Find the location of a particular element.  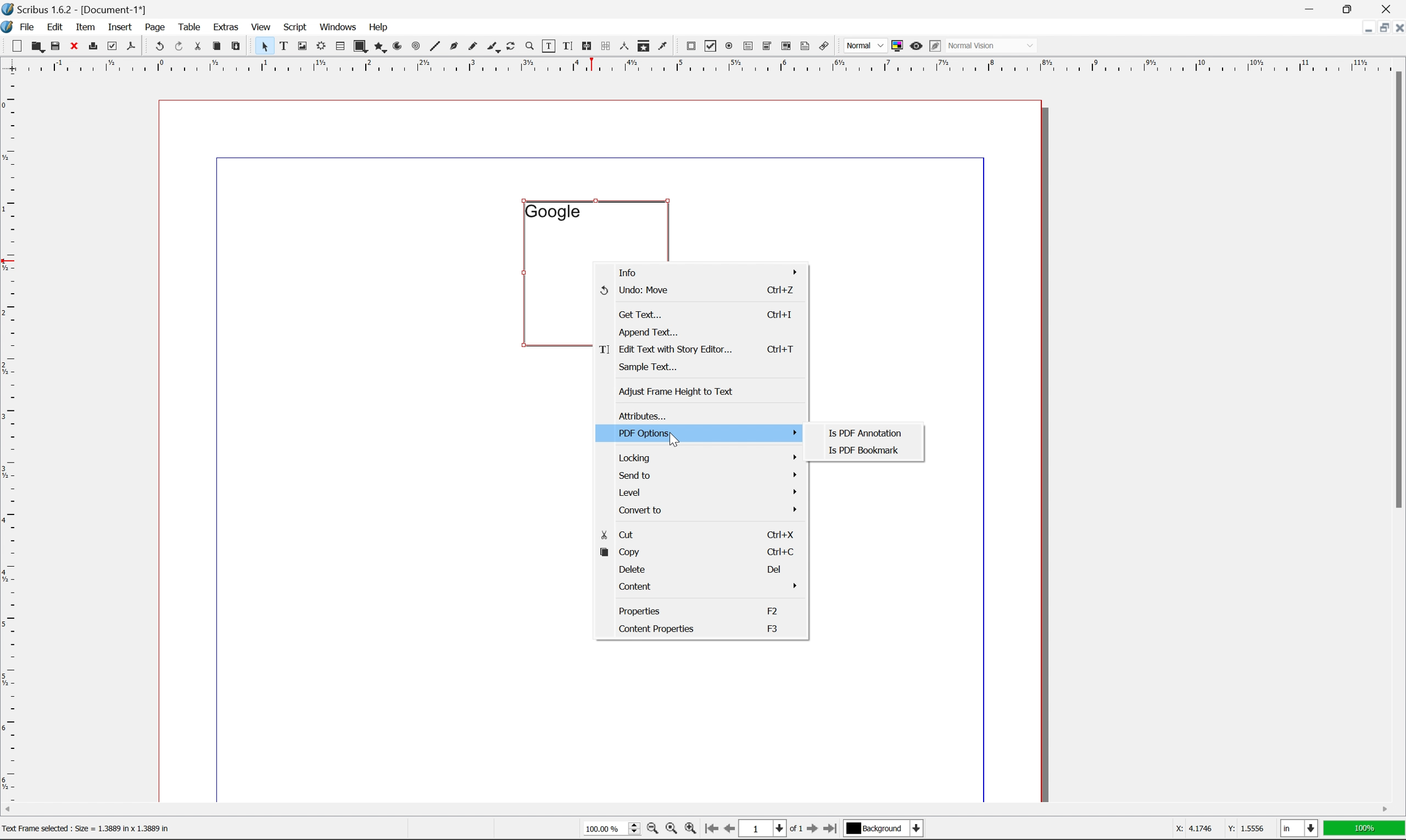

ctrl+z is located at coordinates (779, 289).